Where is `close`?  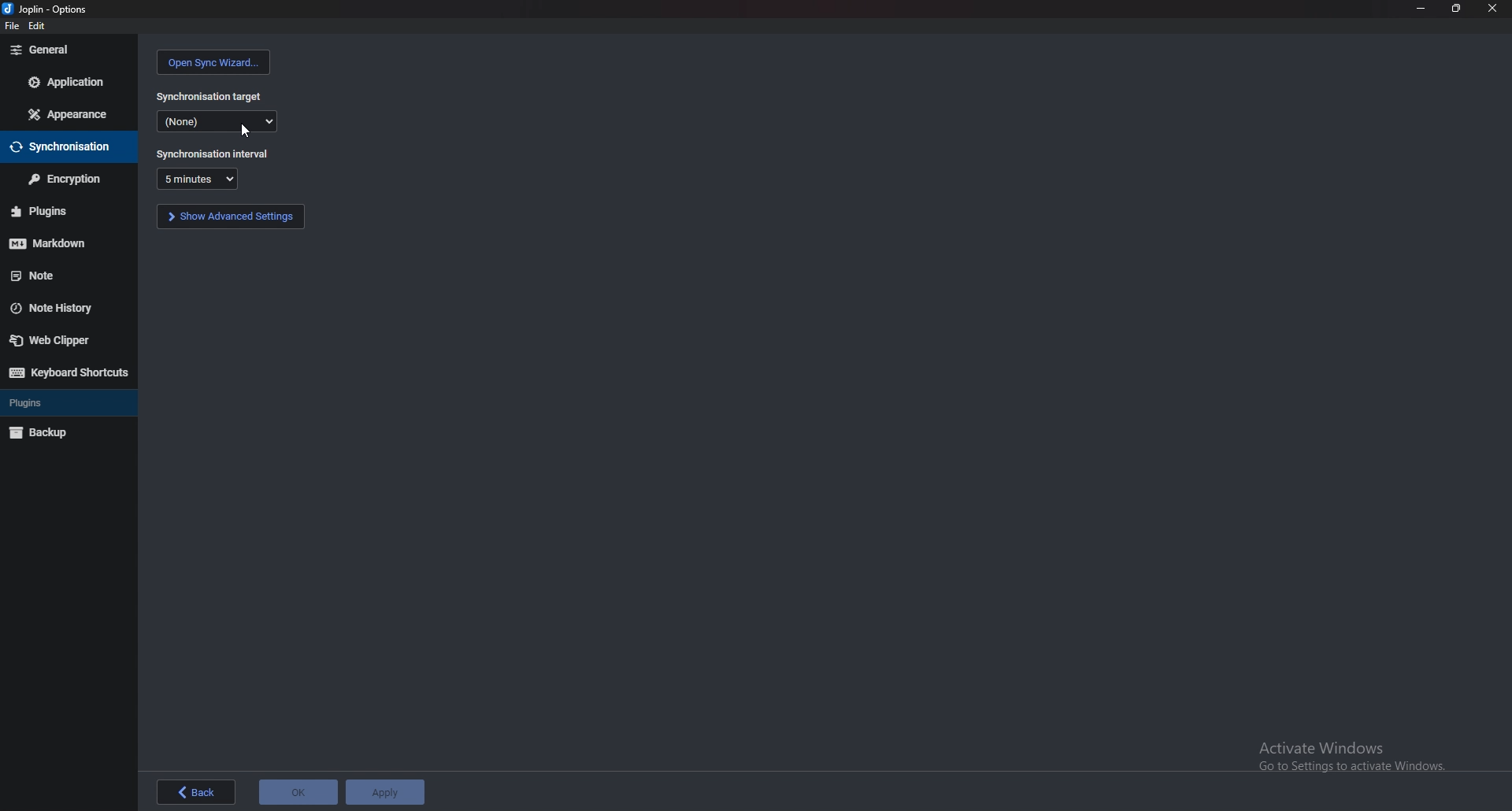
close is located at coordinates (1492, 9).